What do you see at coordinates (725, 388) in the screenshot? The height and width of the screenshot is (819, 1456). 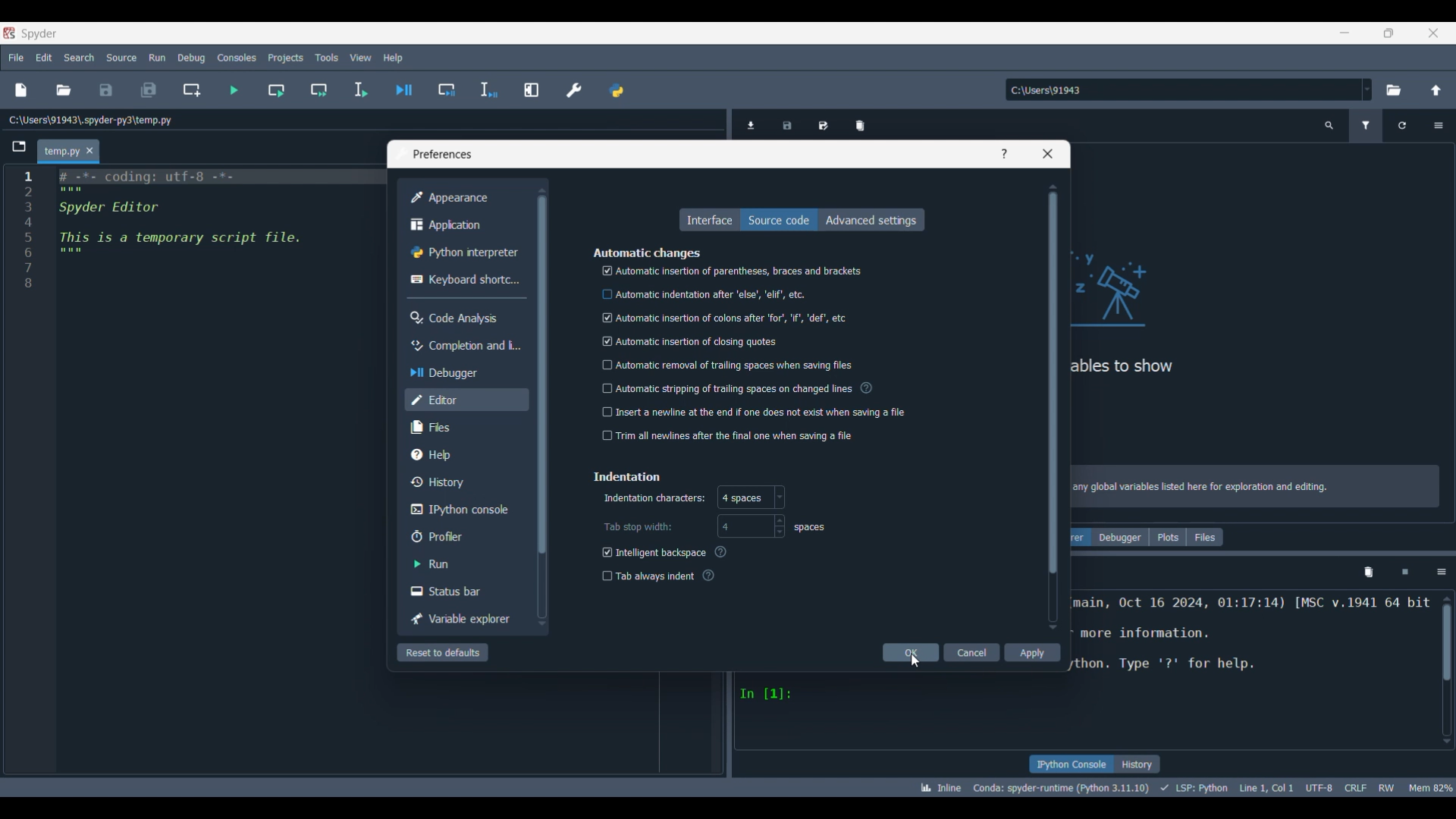 I see `‘Automatic stripping of trailing spaces on changed lines` at bounding box center [725, 388].